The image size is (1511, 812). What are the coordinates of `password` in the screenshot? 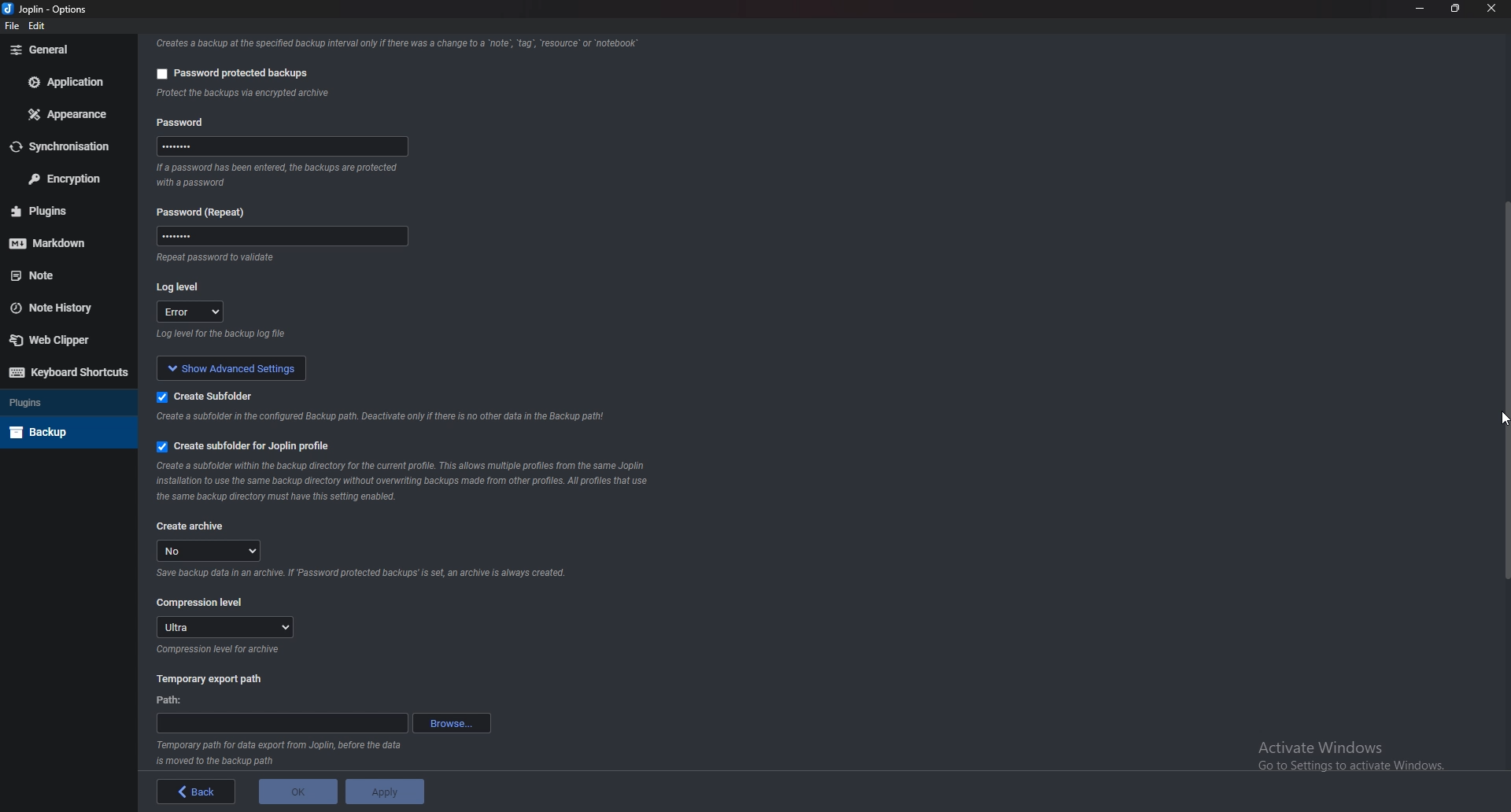 It's located at (286, 146).